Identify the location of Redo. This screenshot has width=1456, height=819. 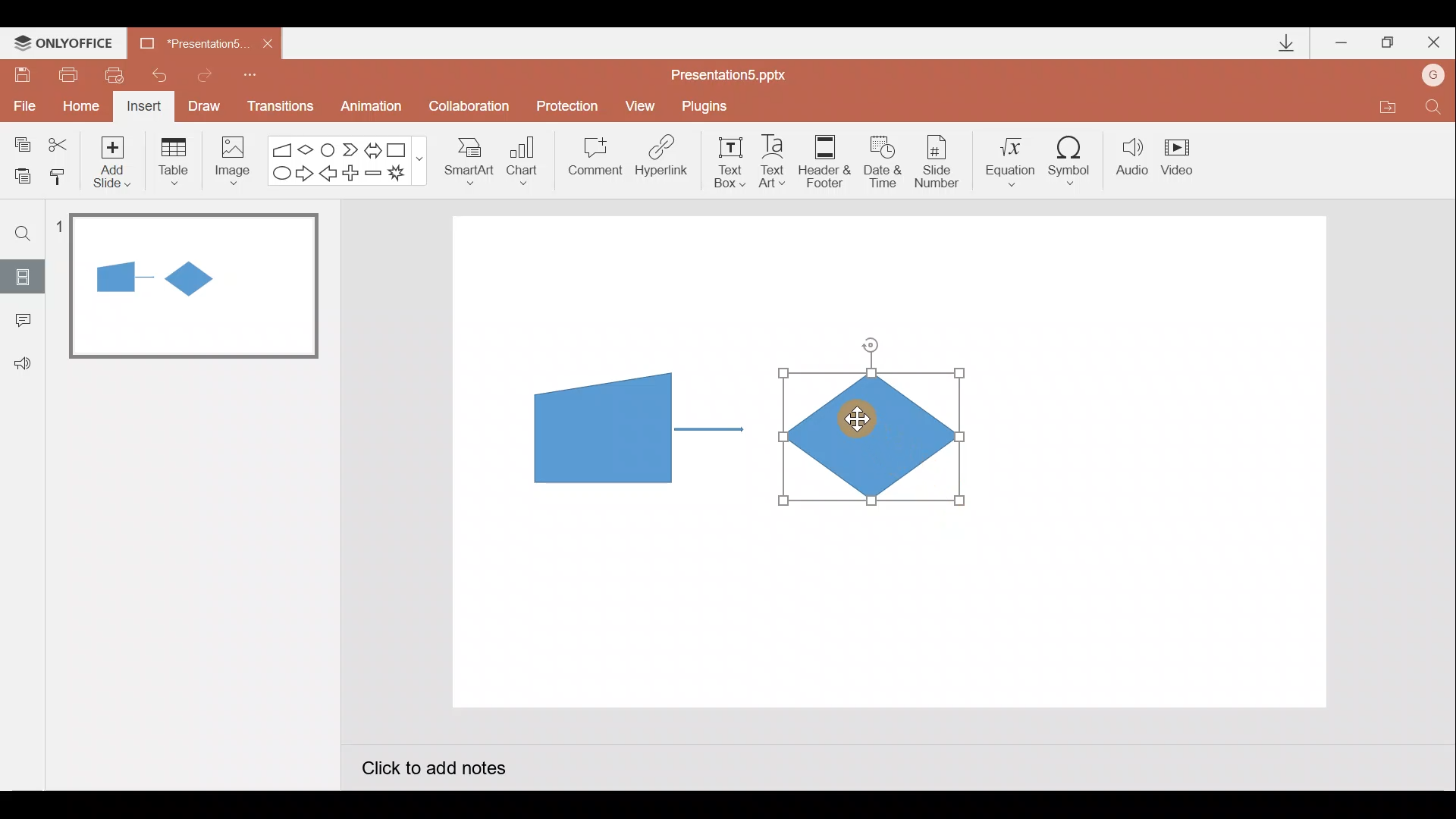
(206, 73).